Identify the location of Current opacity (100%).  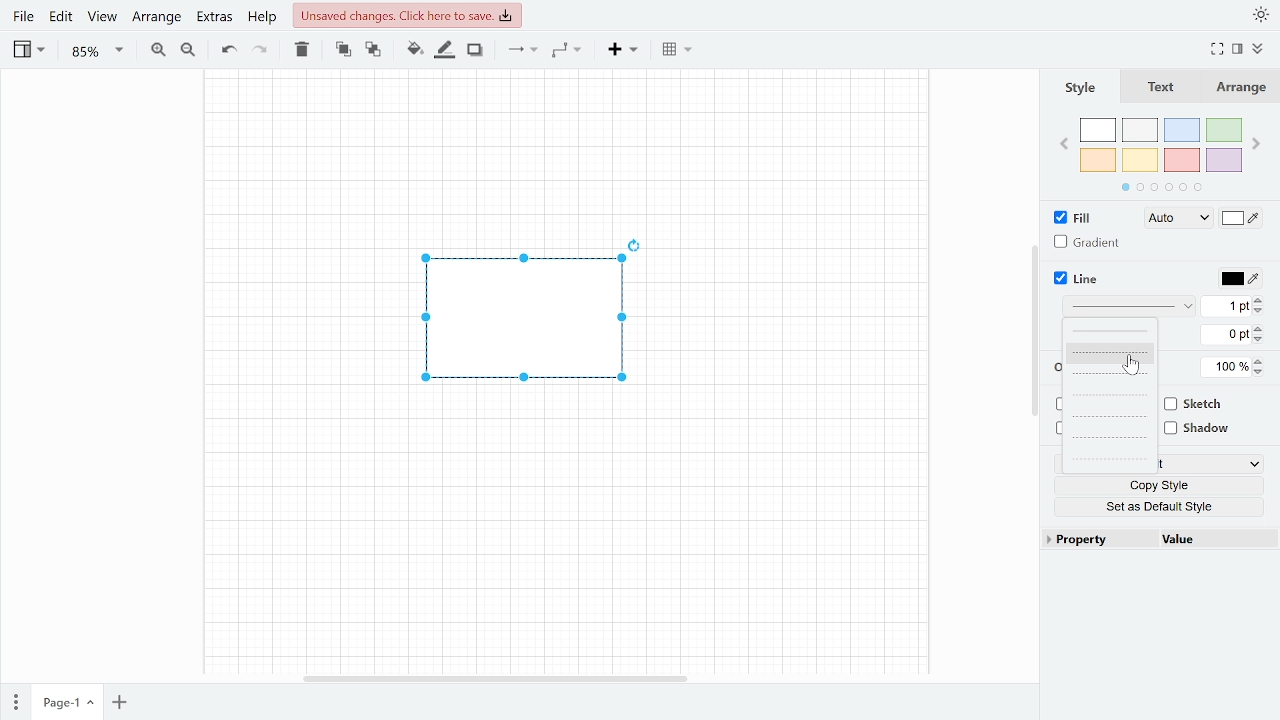
(1228, 368).